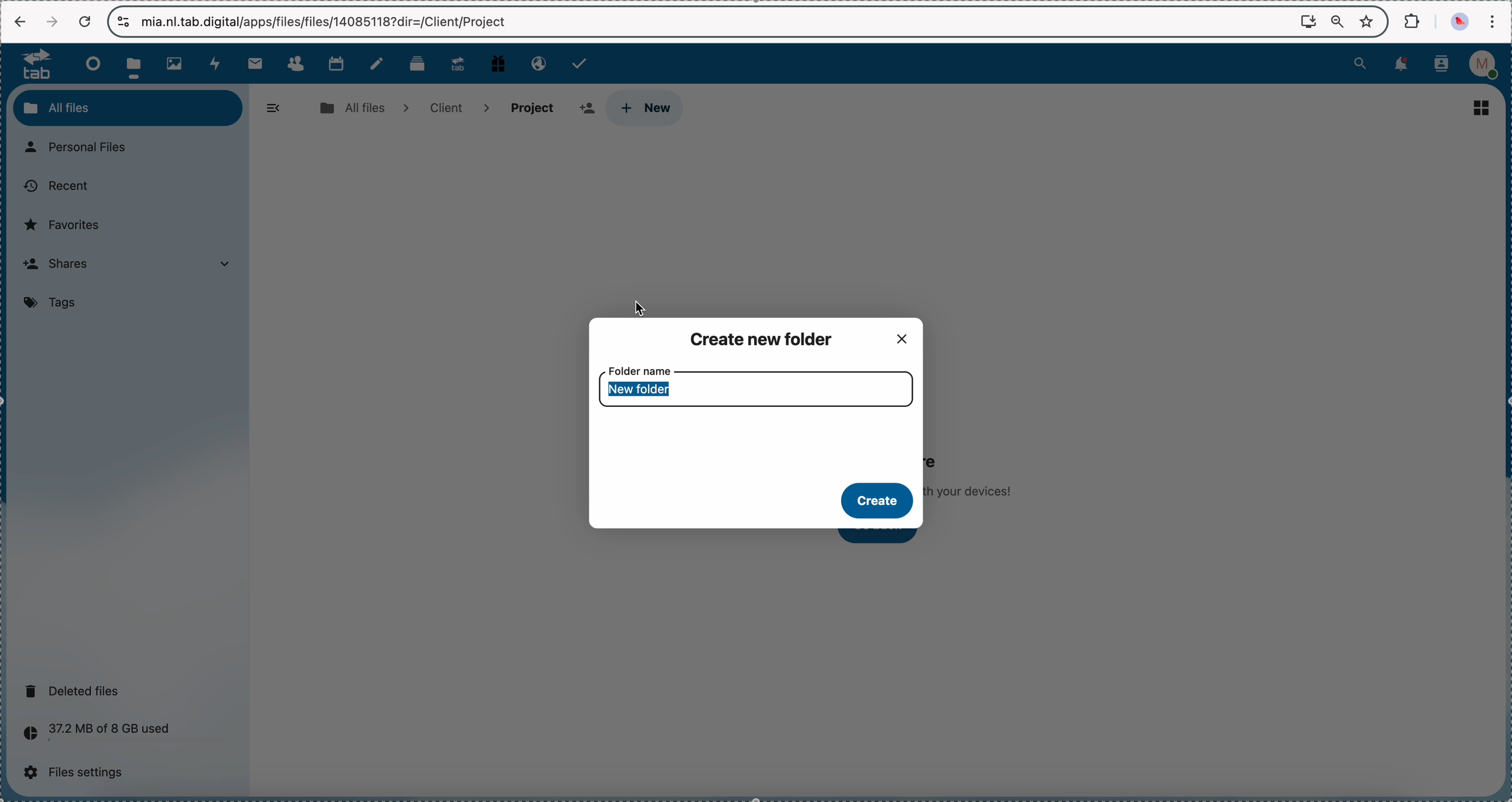  Describe the element at coordinates (765, 338) in the screenshot. I see `create new folder` at that location.